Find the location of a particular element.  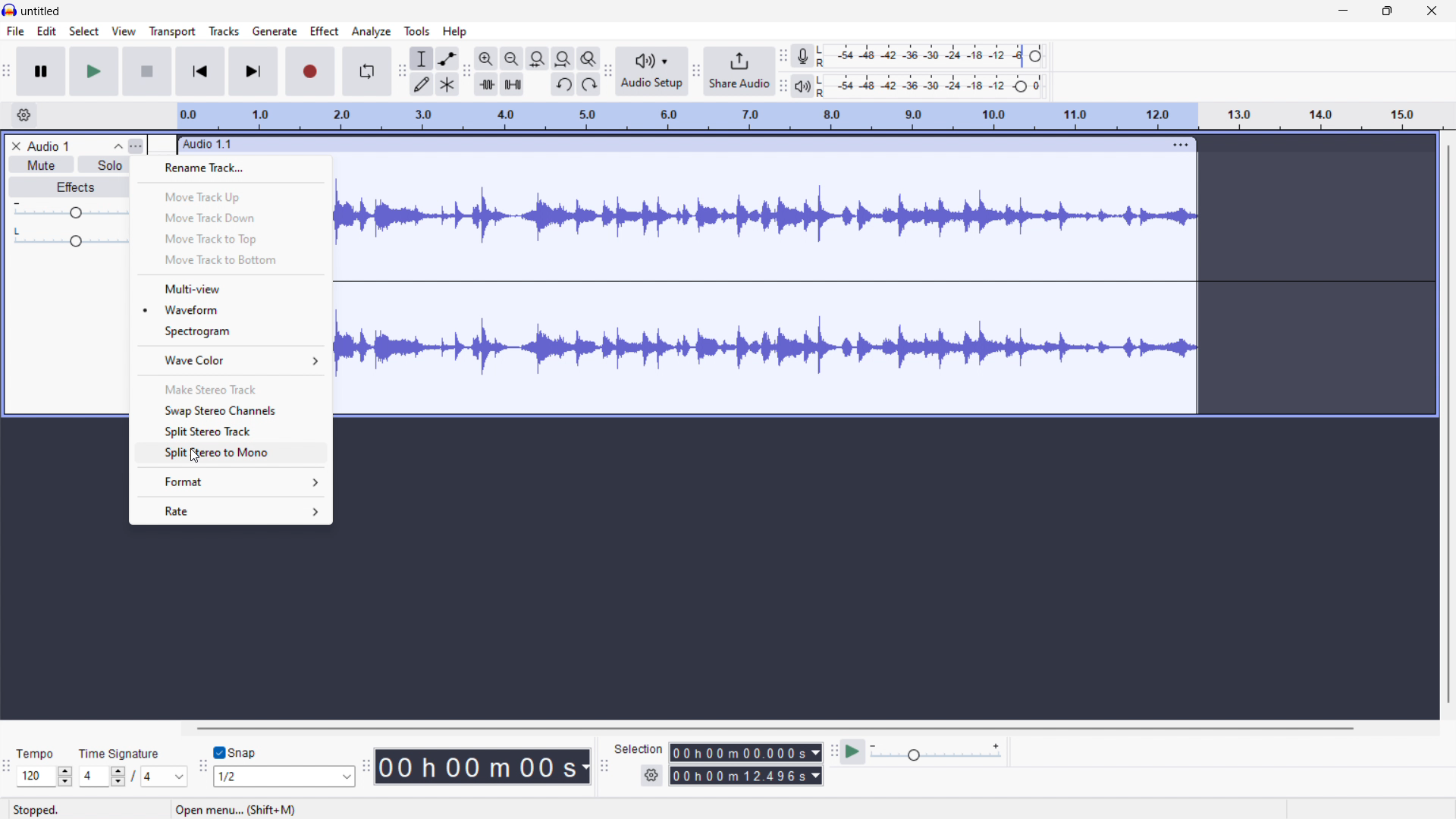

horizontal scrollbar is located at coordinates (773, 728).